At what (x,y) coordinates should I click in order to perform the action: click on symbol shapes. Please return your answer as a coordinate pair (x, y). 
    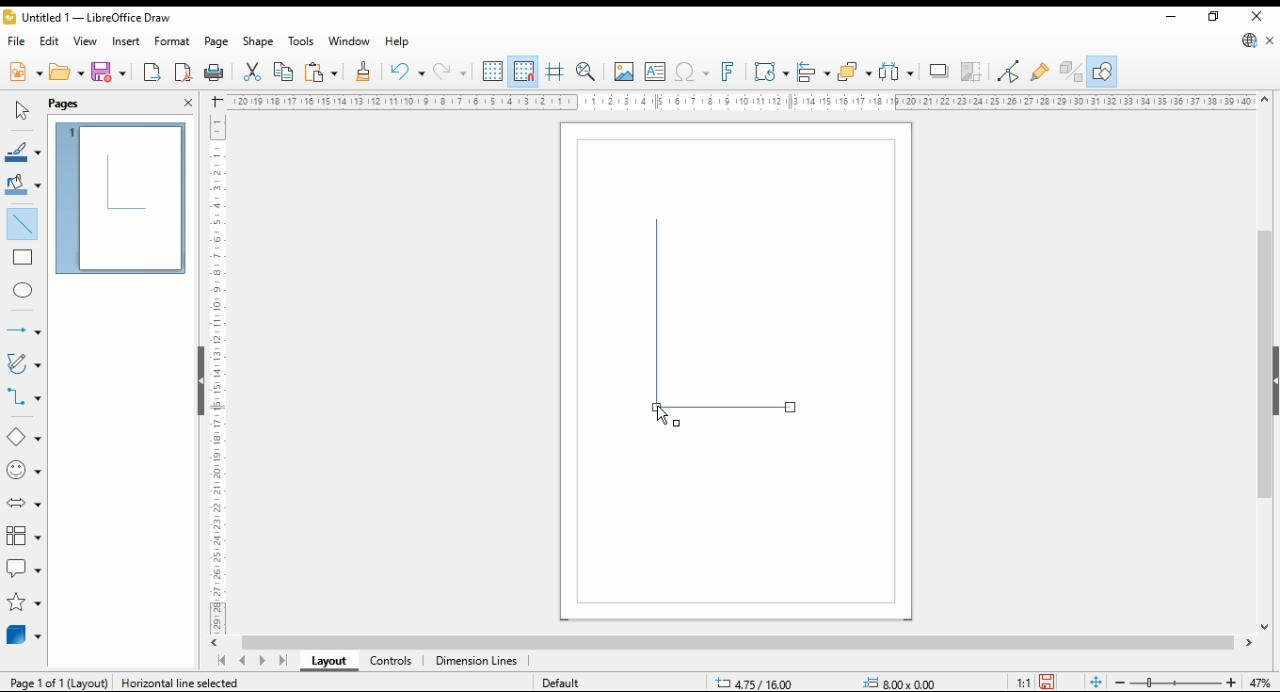
    Looking at the image, I should click on (23, 471).